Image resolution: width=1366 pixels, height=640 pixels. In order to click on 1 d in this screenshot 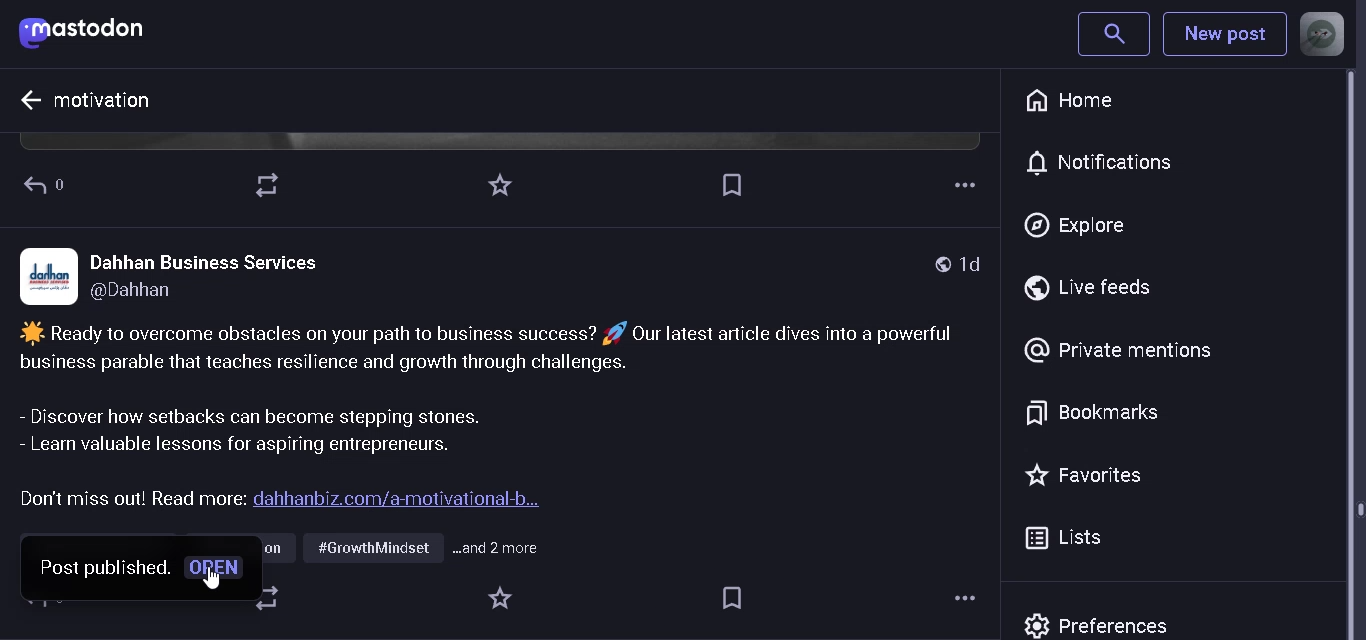, I will do `click(977, 264)`.